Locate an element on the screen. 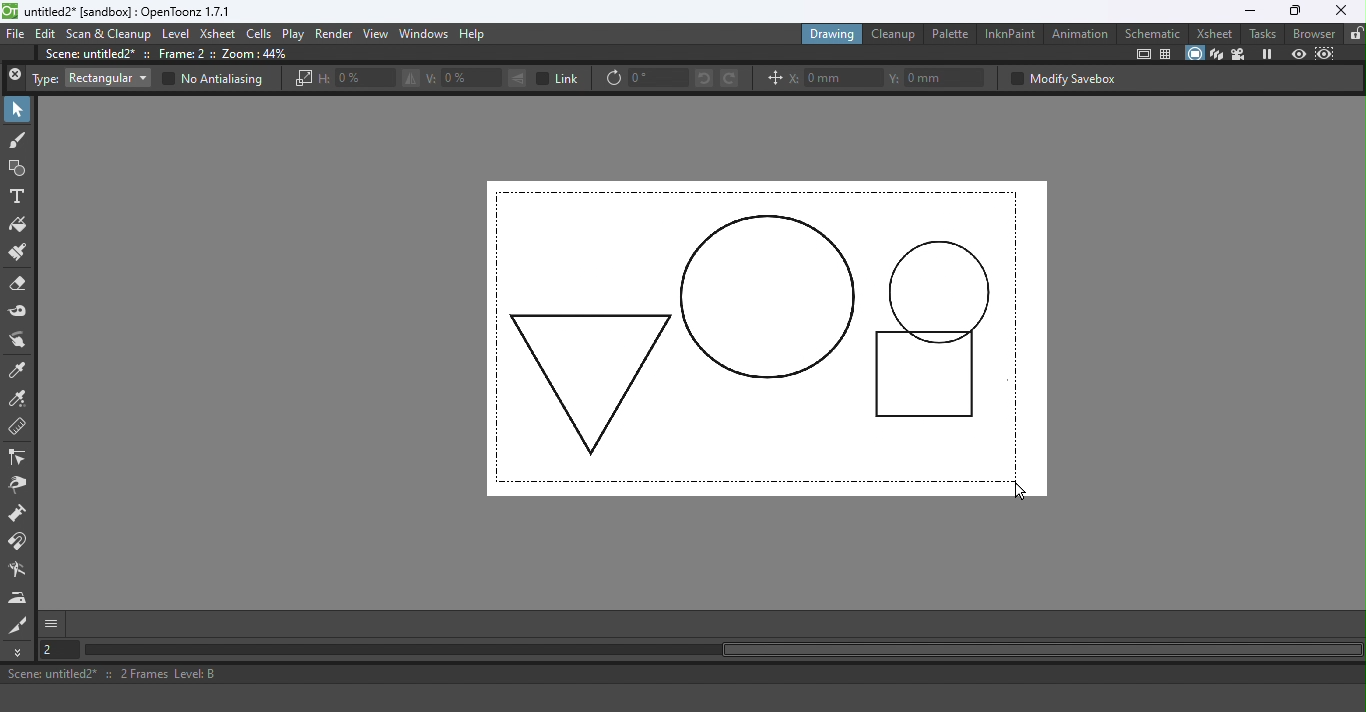  Flip selection vertically is located at coordinates (518, 78).